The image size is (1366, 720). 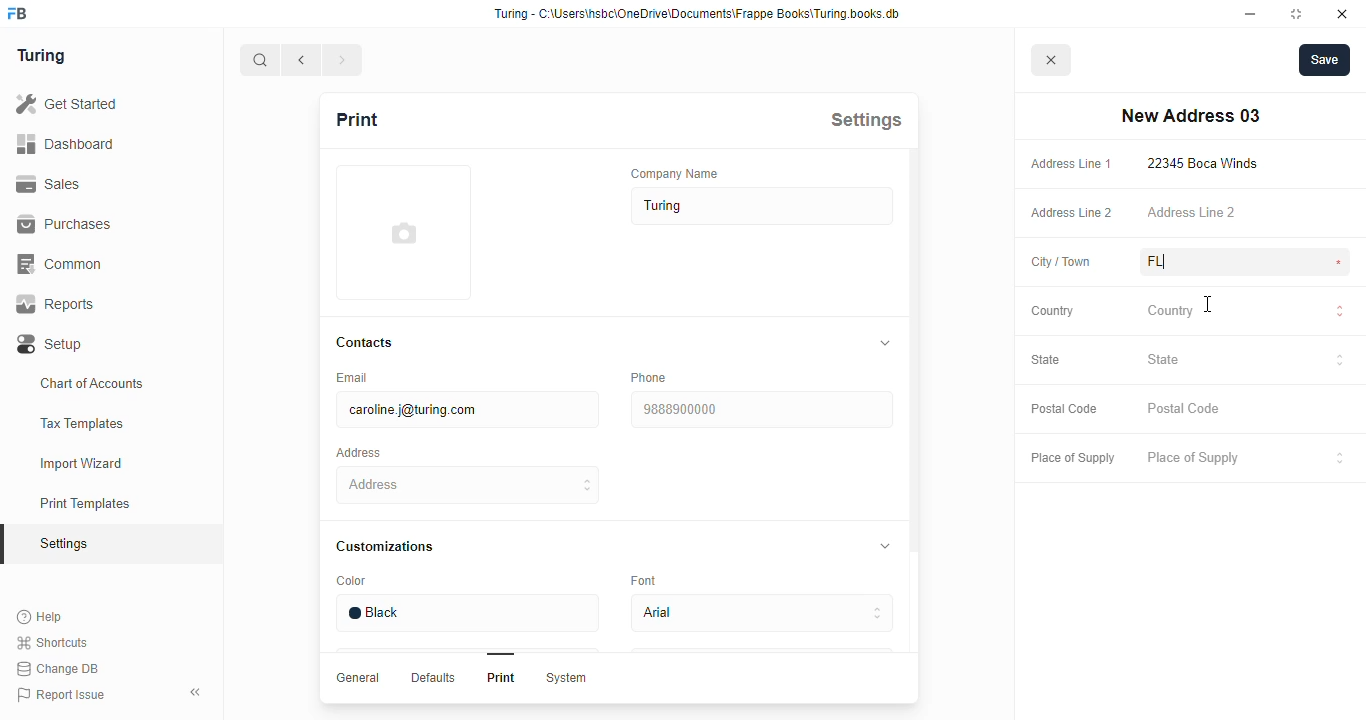 I want to click on address line 2, so click(x=1191, y=211).